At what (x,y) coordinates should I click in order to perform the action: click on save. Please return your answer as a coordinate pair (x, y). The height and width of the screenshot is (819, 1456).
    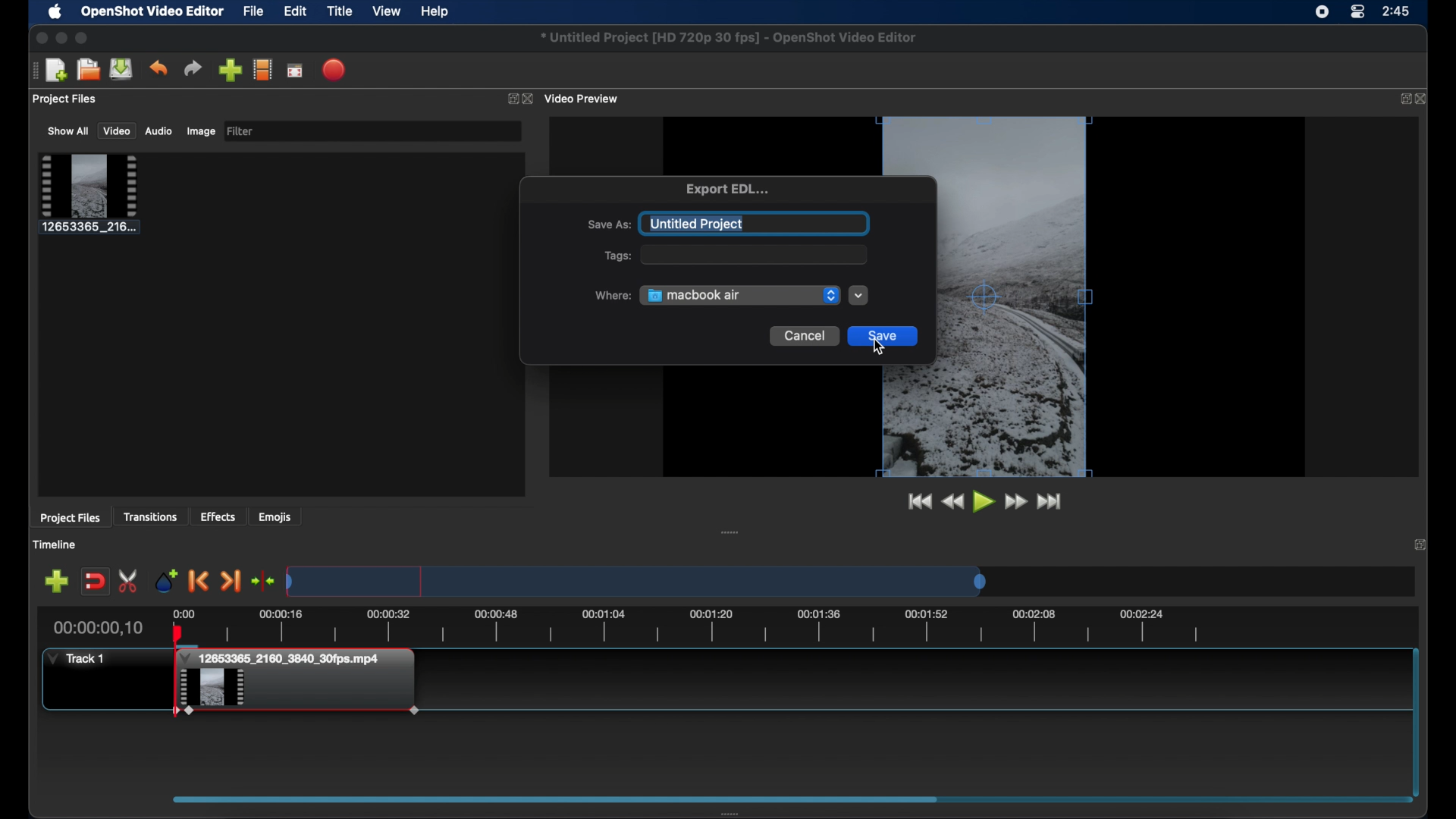
    Looking at the image, I should click on (882, 336).